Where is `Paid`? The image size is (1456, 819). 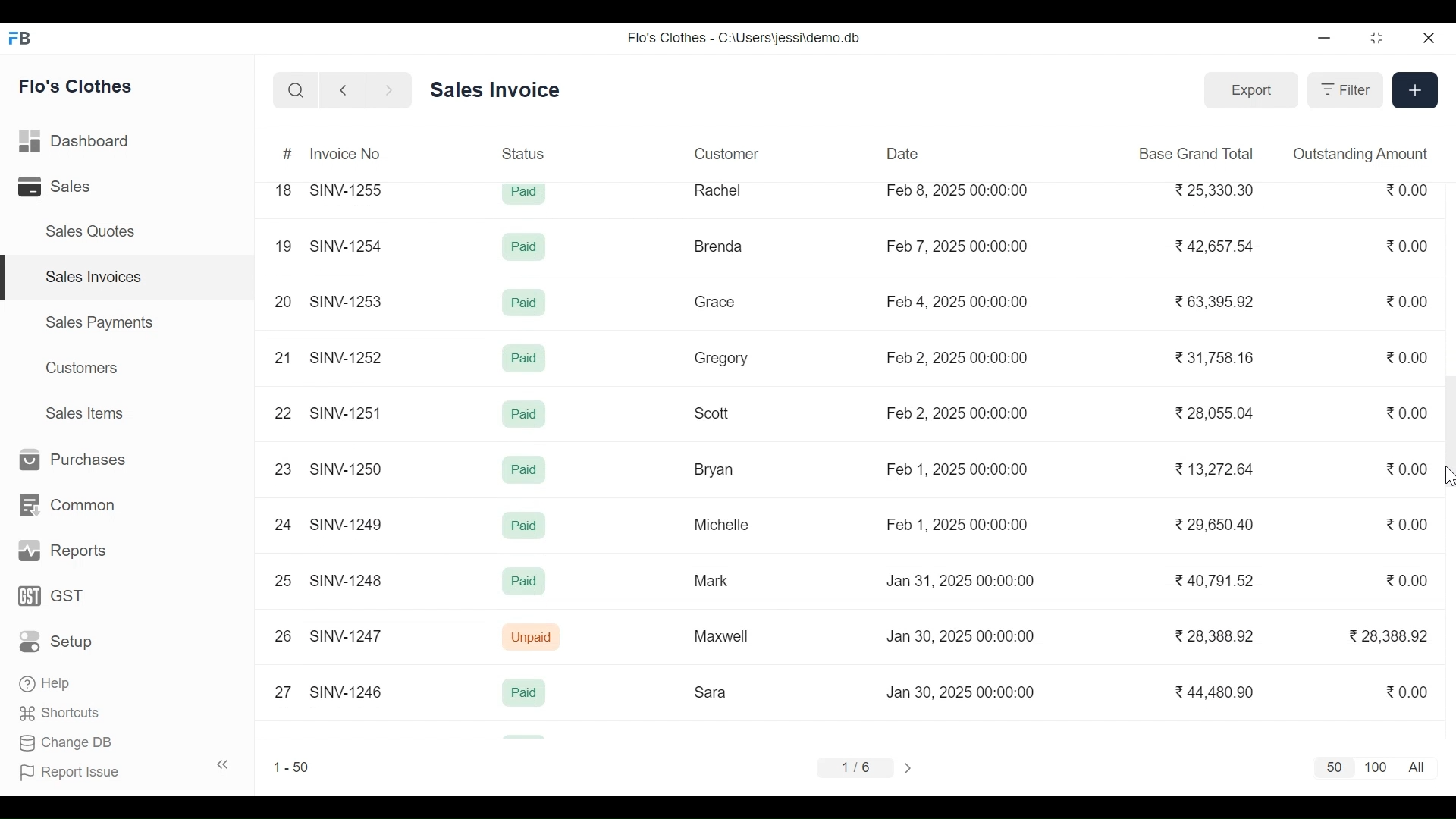 Paid is located at coordinates (525, 415).